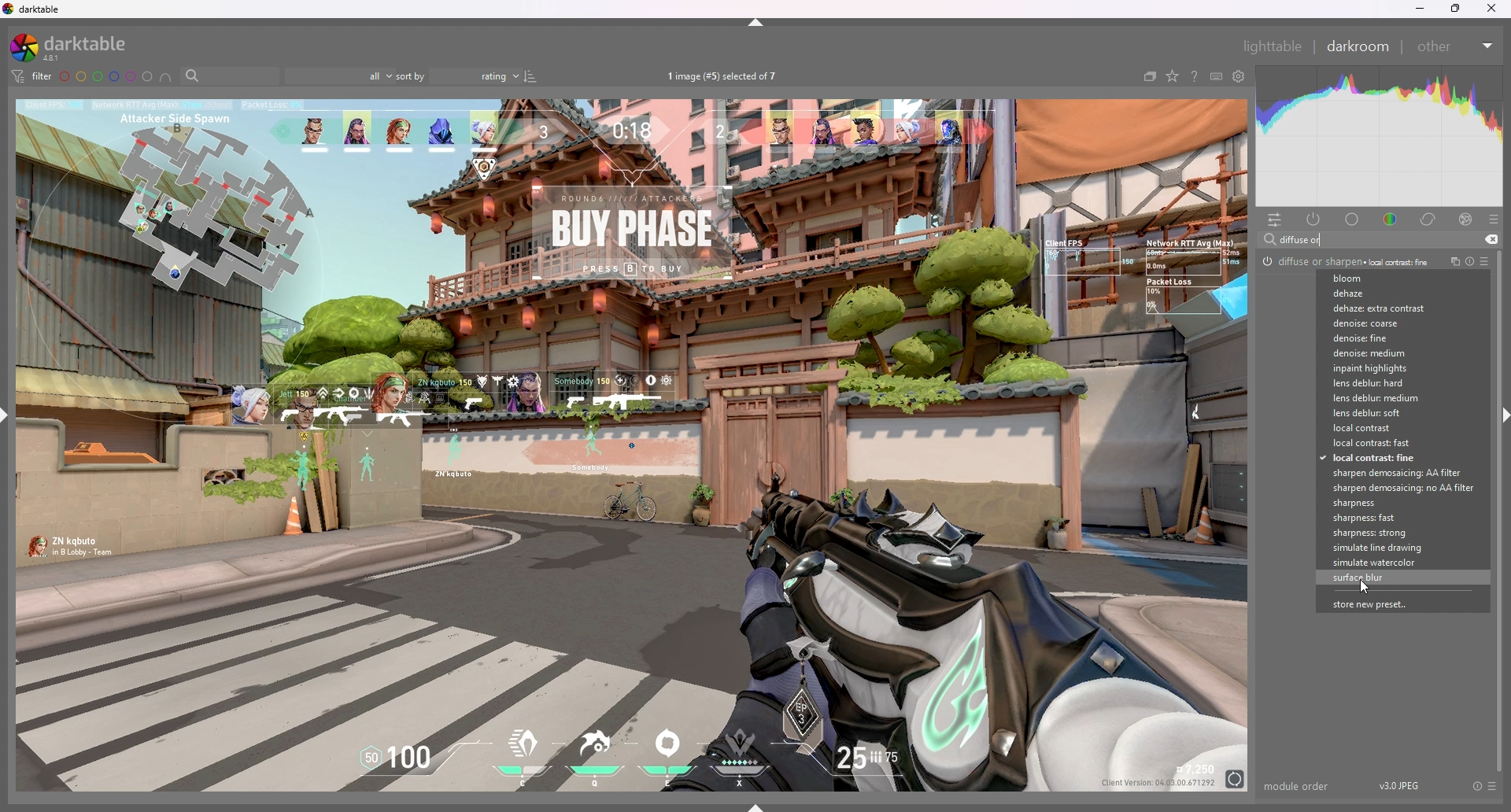 The width and height of the screenshot is (1511, 812). What do you see at coordinates (1491, 239) in the screenshot?
I see `cut` at bounding box center [1491, 239].